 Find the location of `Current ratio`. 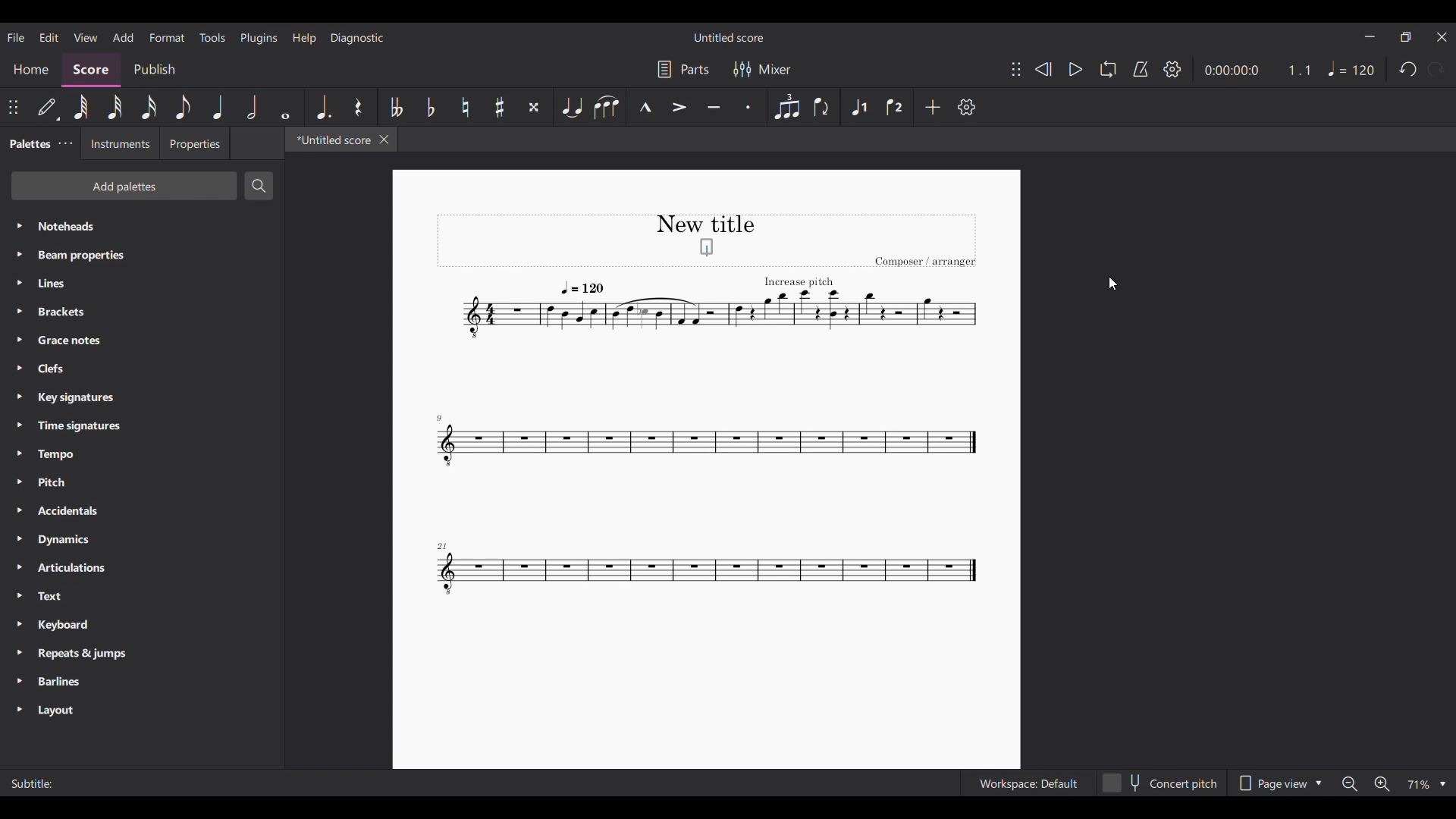

Current ratio is located at coordinates (1299, 70).